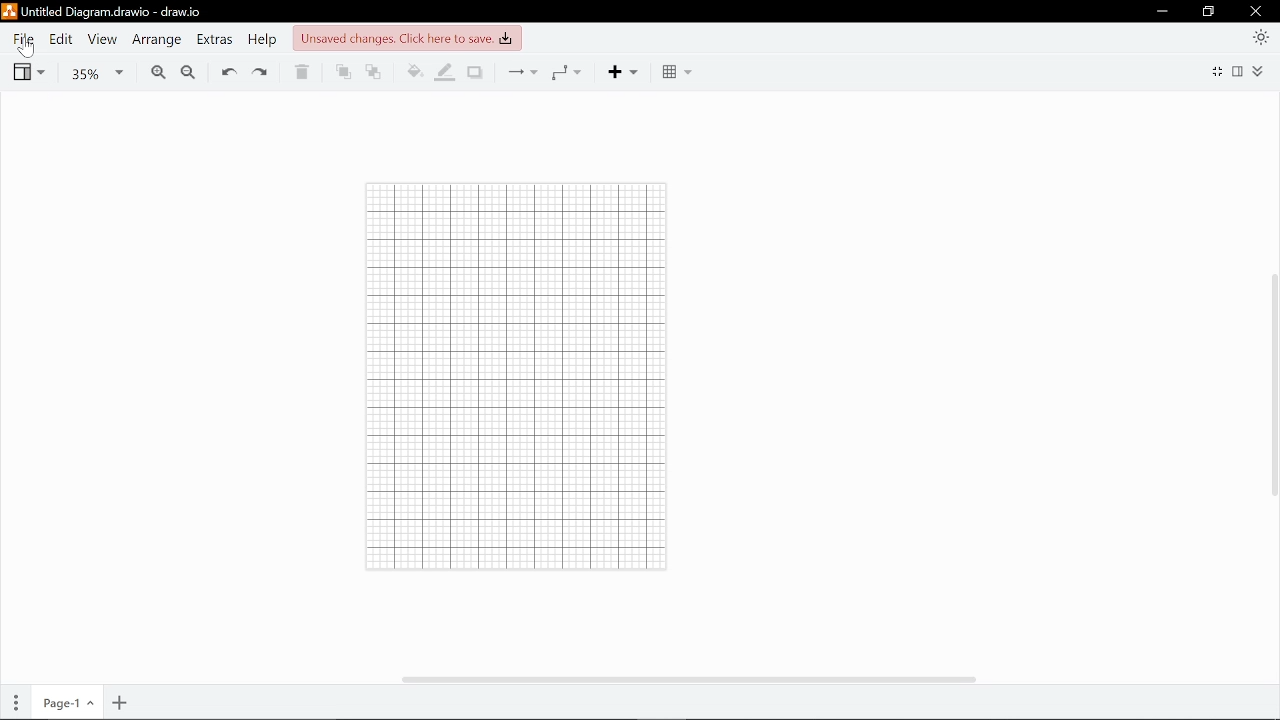  Describe the element at coordinates (407, 39) in the screenshot. I see `Unsaved changes. Click here to save. ` at that location.